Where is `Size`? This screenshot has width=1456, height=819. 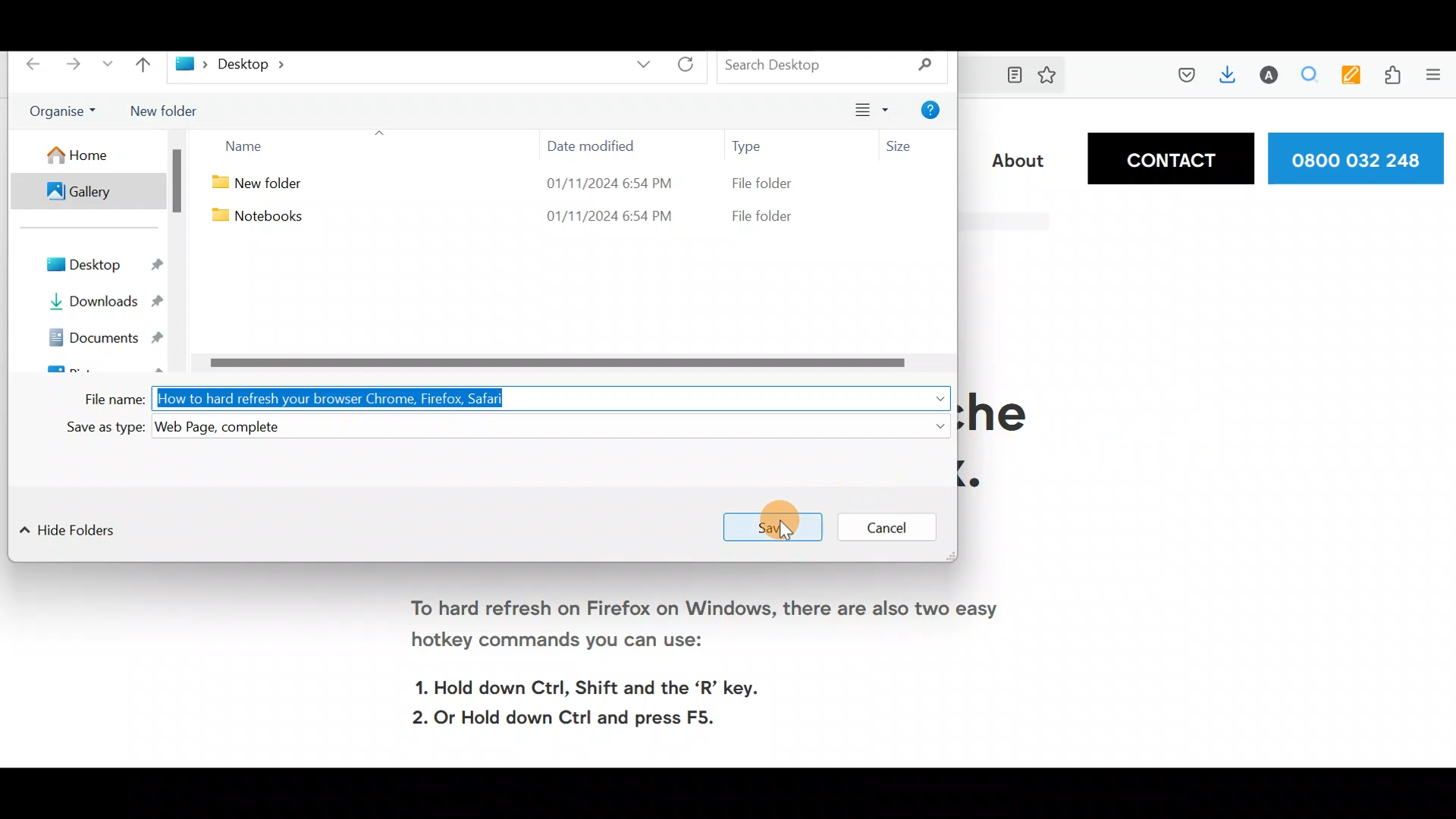
Size is located at coordinates (914, 143).